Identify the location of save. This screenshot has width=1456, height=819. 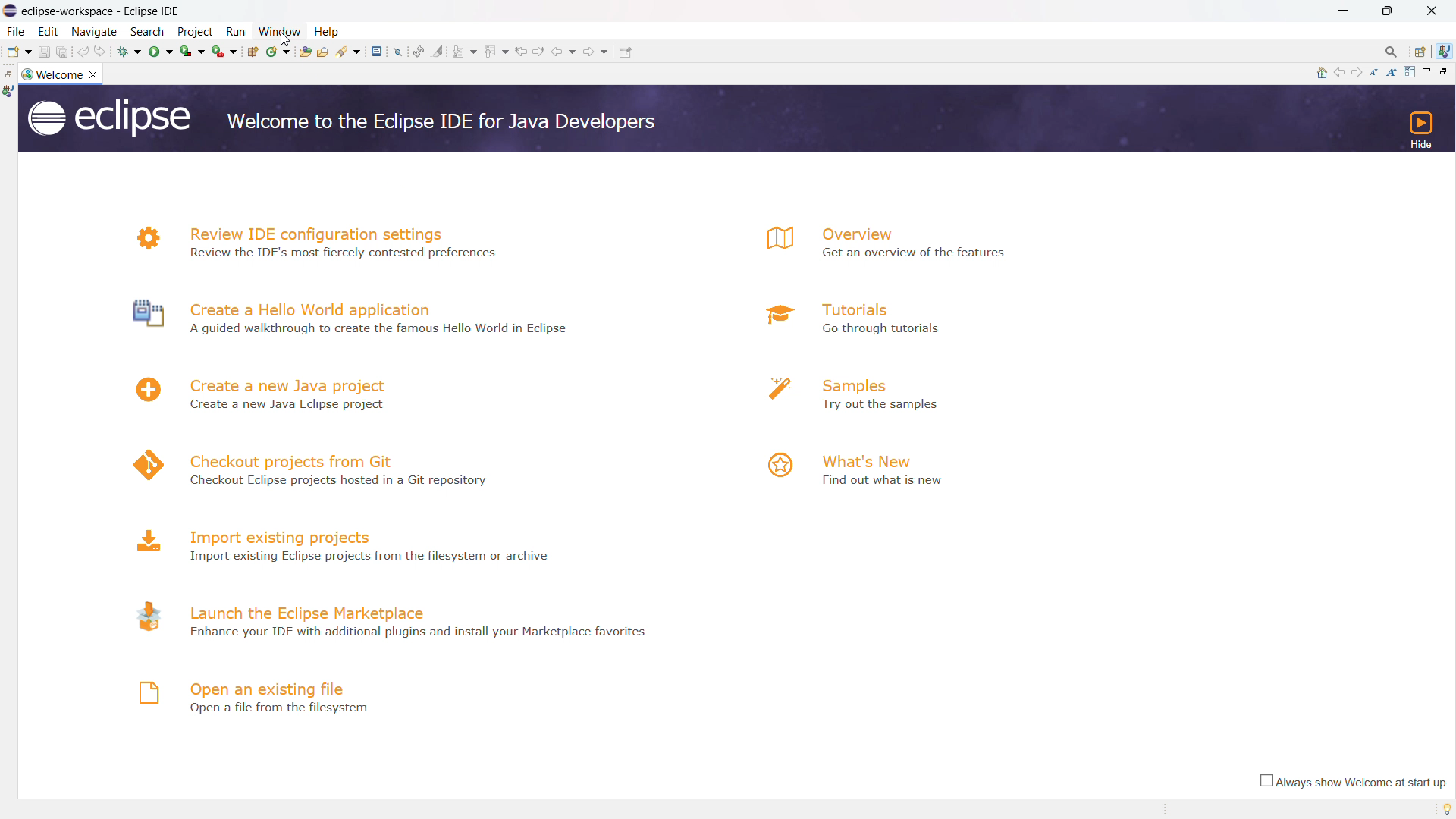
(43, 52).